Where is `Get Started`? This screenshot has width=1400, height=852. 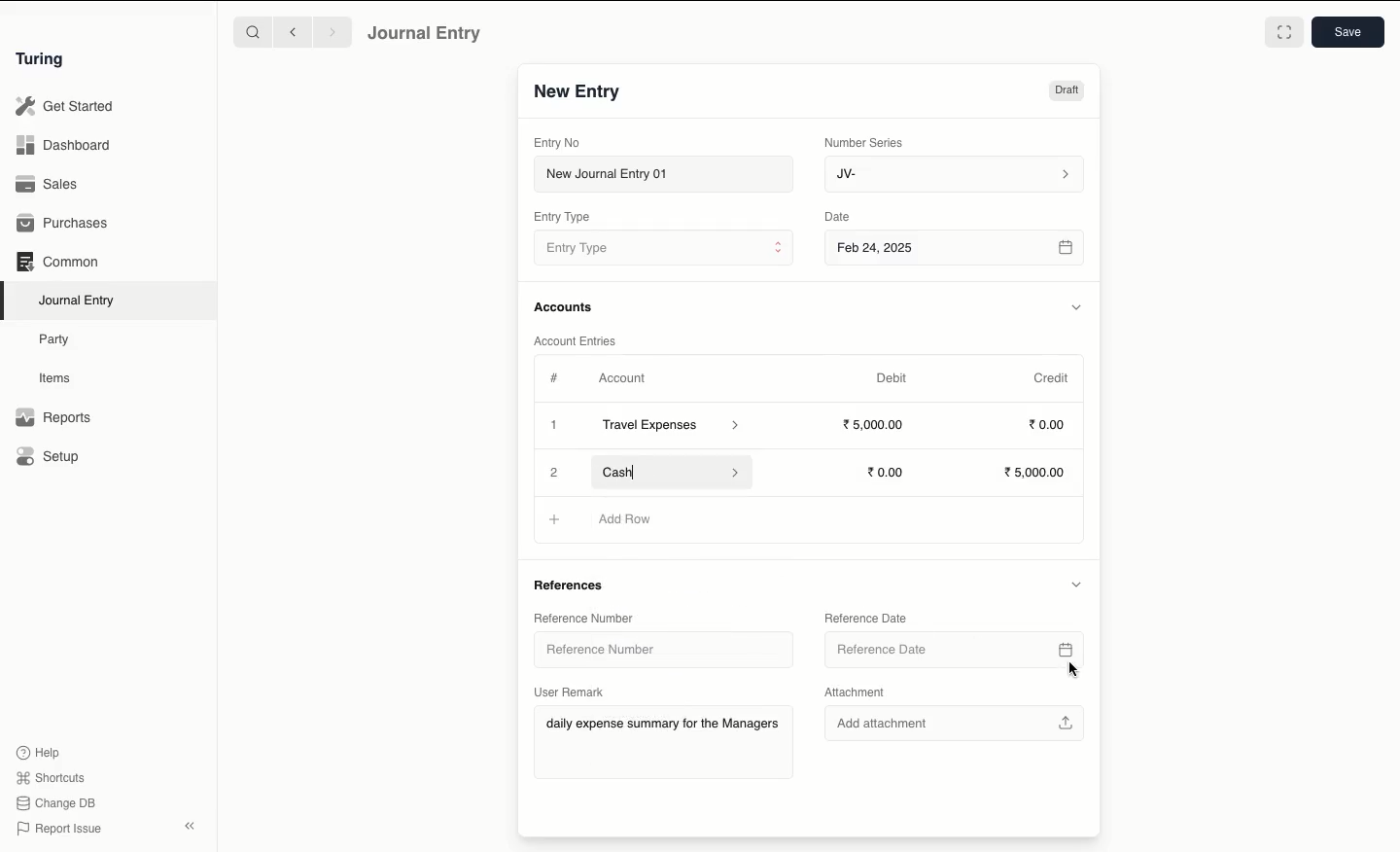 Get Started is located at coordinates (66, 107).